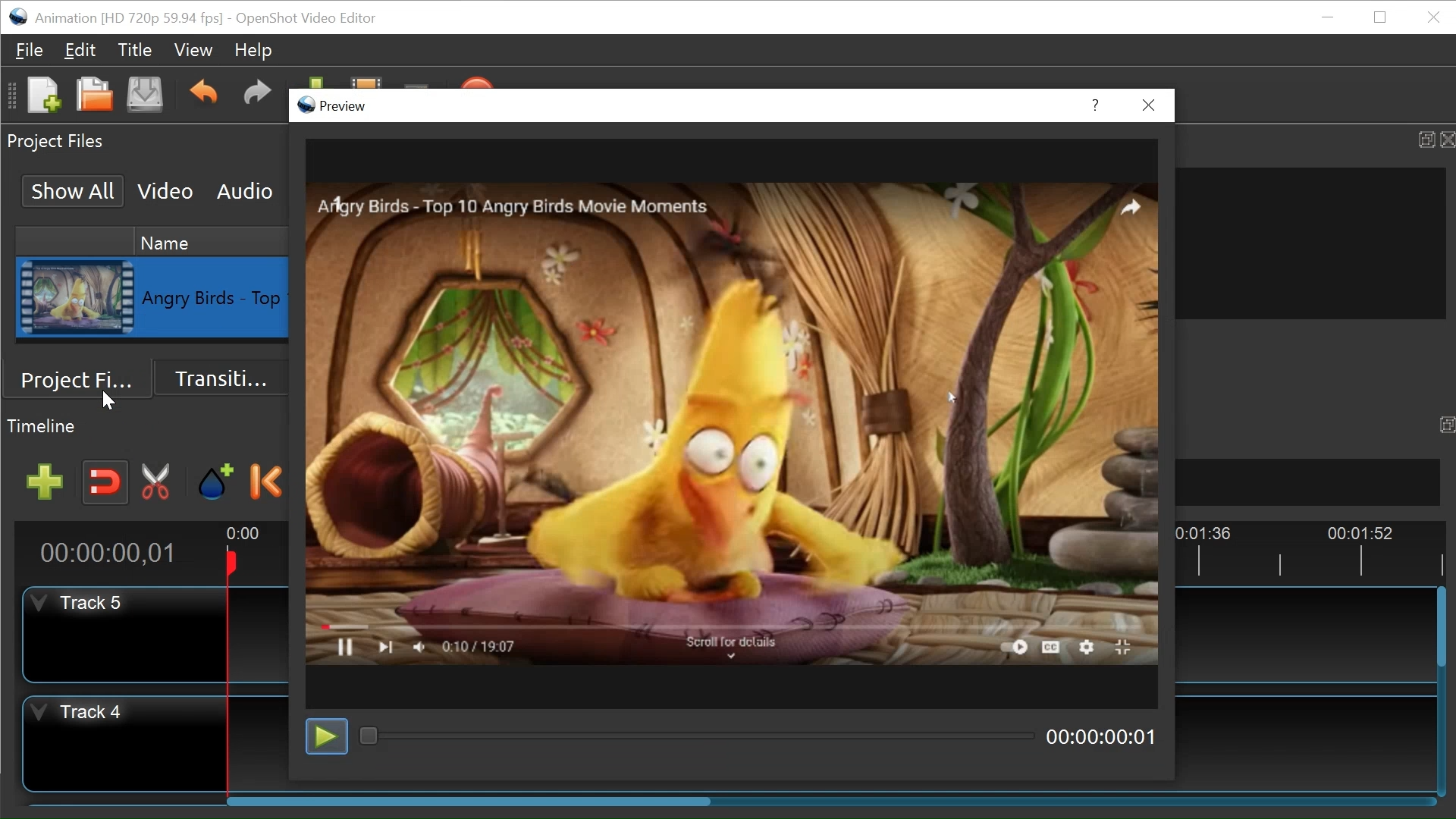 Image resolution: width=1456 pixels, height=819 pixels. I want to click on Track Header, so click(121, 743).